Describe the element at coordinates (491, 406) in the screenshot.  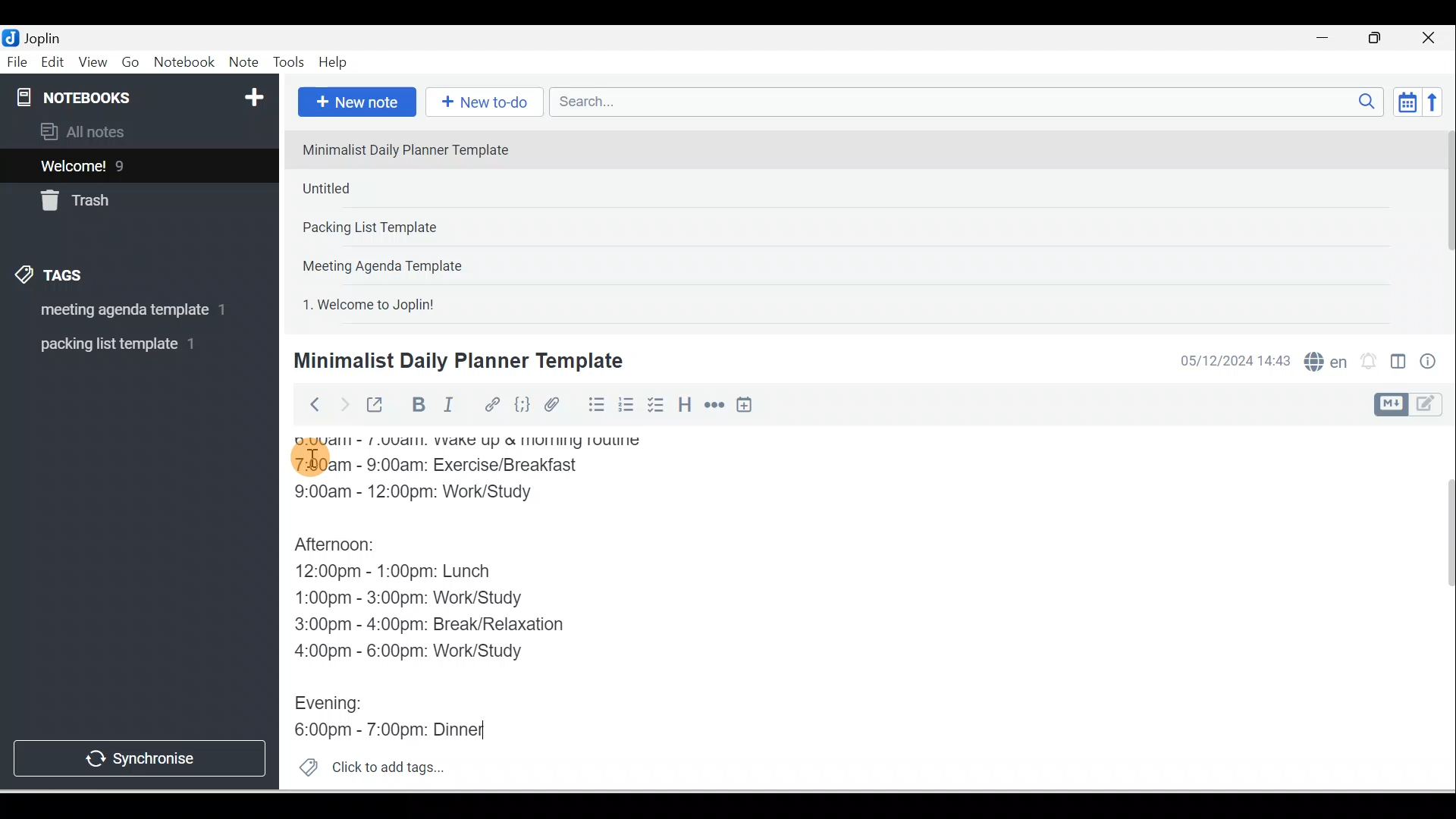
I see `Hyperlink` at that location.